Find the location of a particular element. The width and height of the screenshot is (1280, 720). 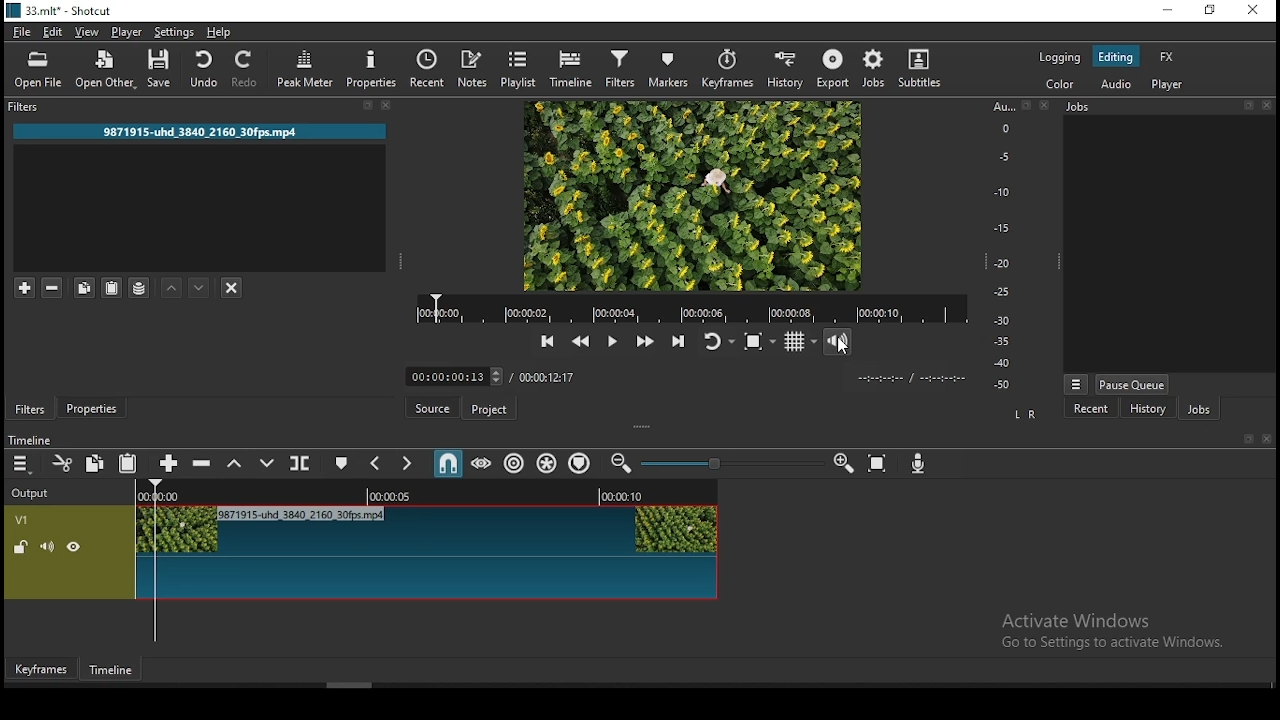

preview is located at coordinates (688, 195).